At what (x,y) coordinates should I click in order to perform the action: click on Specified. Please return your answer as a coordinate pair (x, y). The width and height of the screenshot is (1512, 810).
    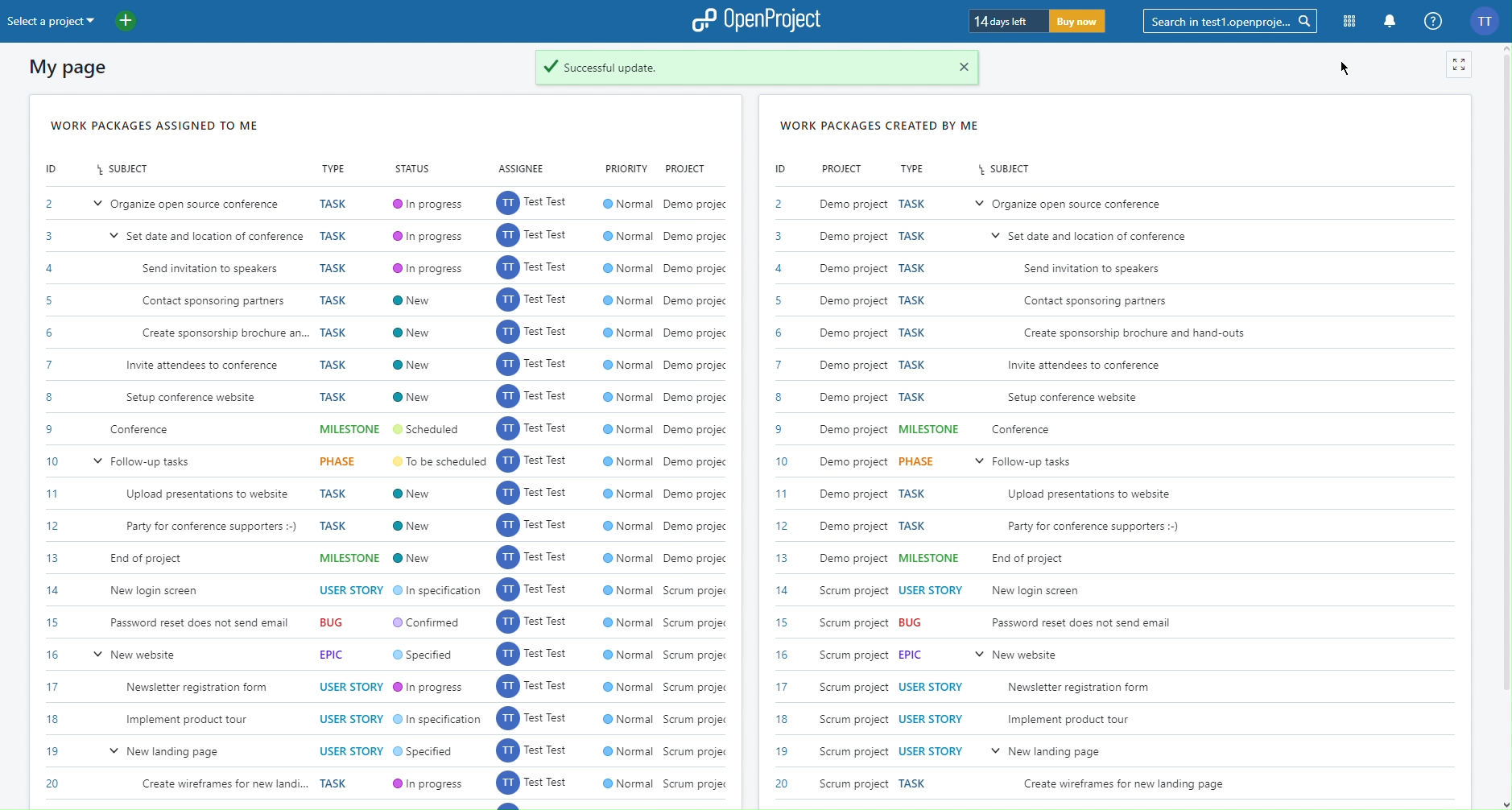
    Looking at the image, I should click on (429, 657).